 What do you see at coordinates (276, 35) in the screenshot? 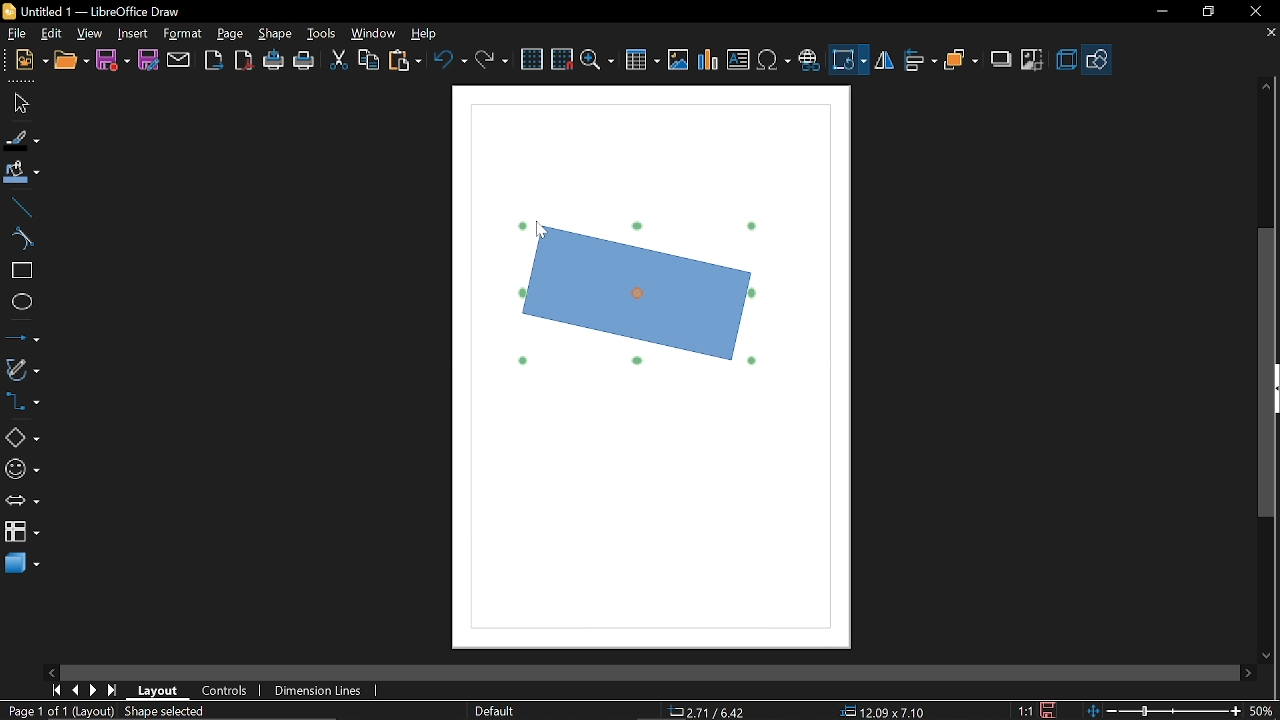
I see `shape` at bounding box center [276, 35].